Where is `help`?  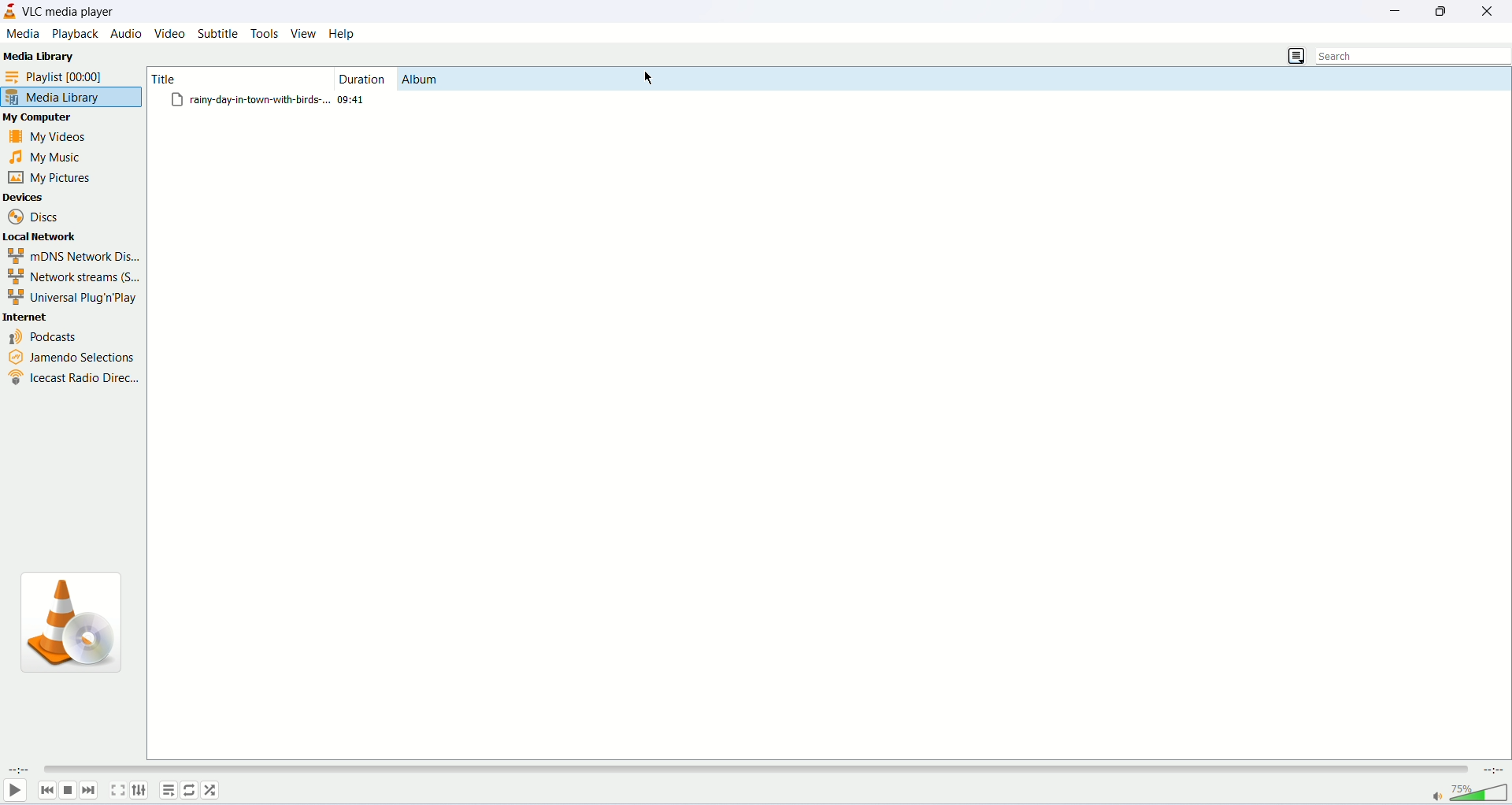 help is located at coordinates (343, 34).